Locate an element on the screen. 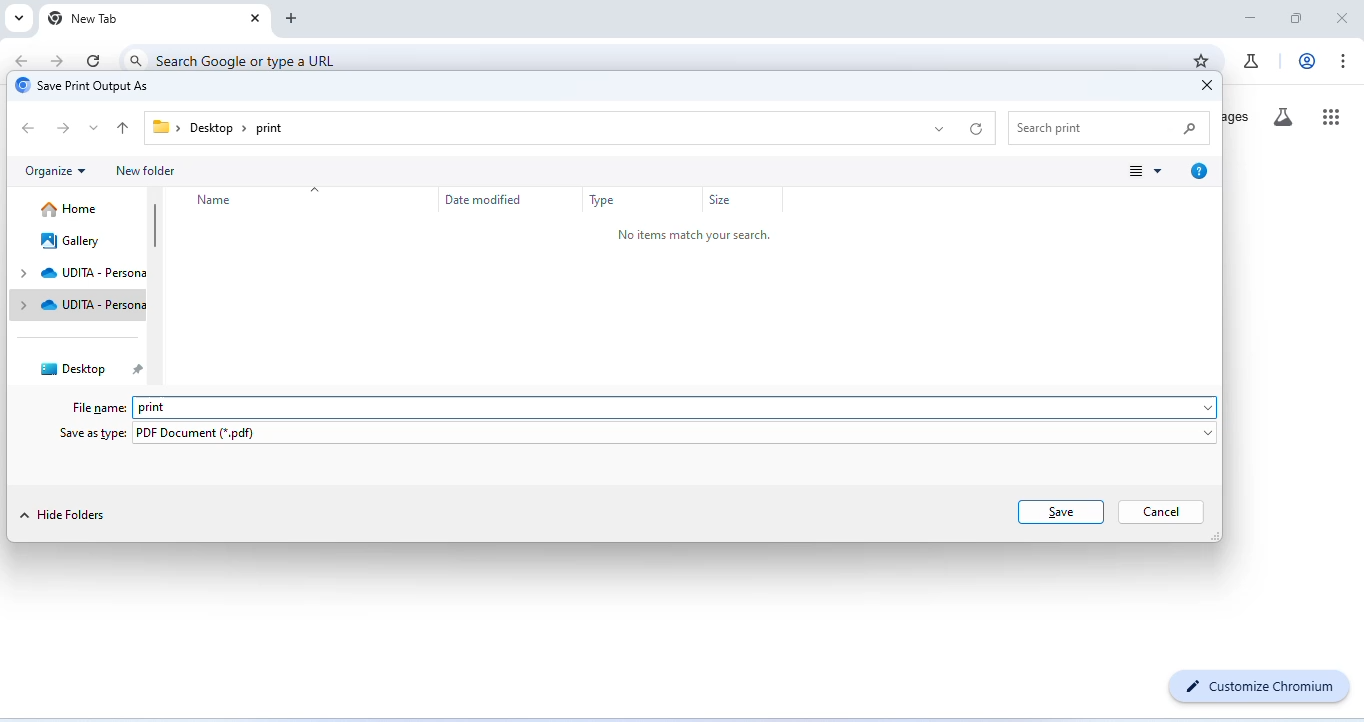  space for typing file name is located at coordinates (700, 408).